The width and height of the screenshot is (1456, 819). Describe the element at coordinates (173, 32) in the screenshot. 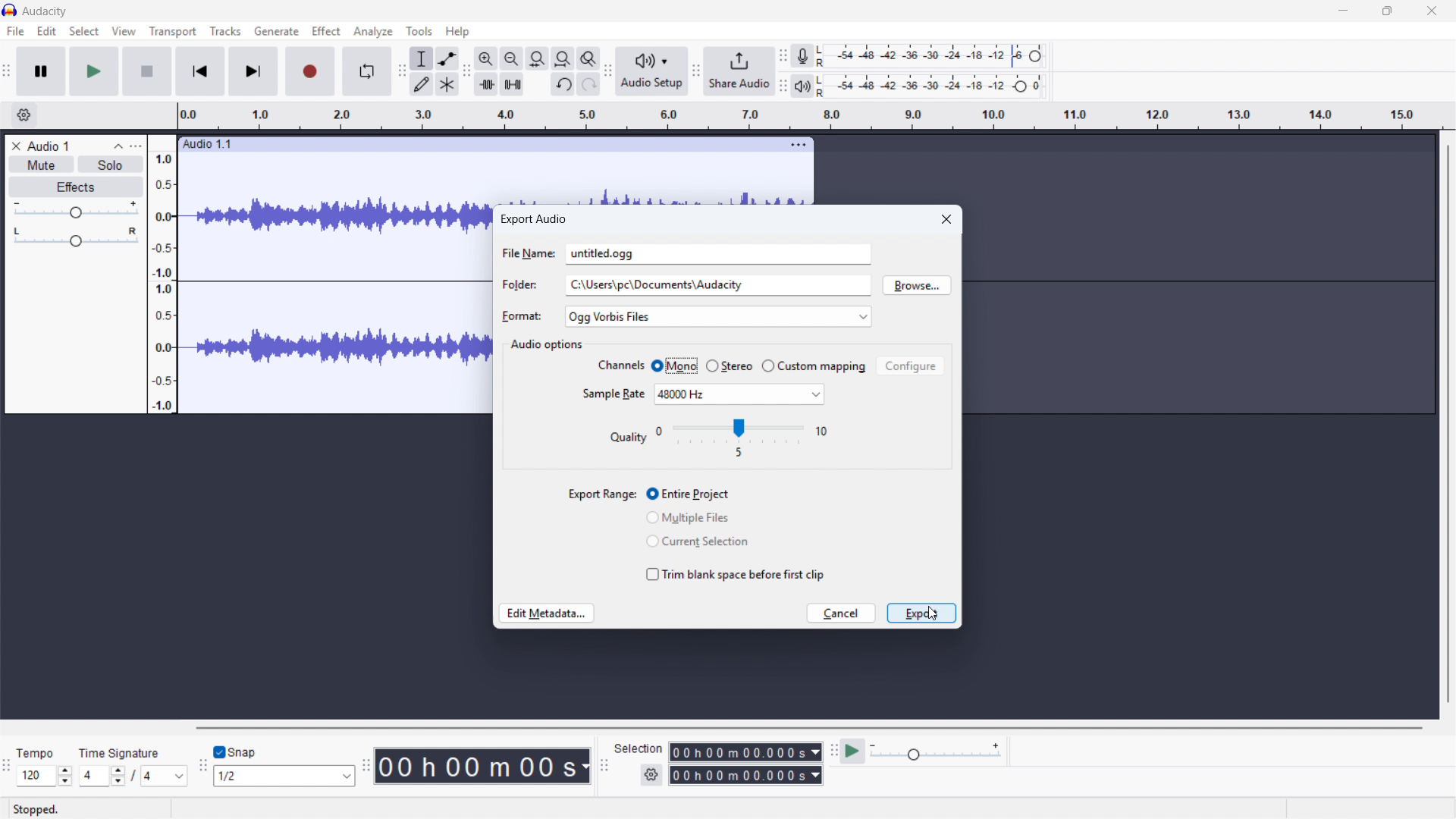

I see `Transport ` at that location.